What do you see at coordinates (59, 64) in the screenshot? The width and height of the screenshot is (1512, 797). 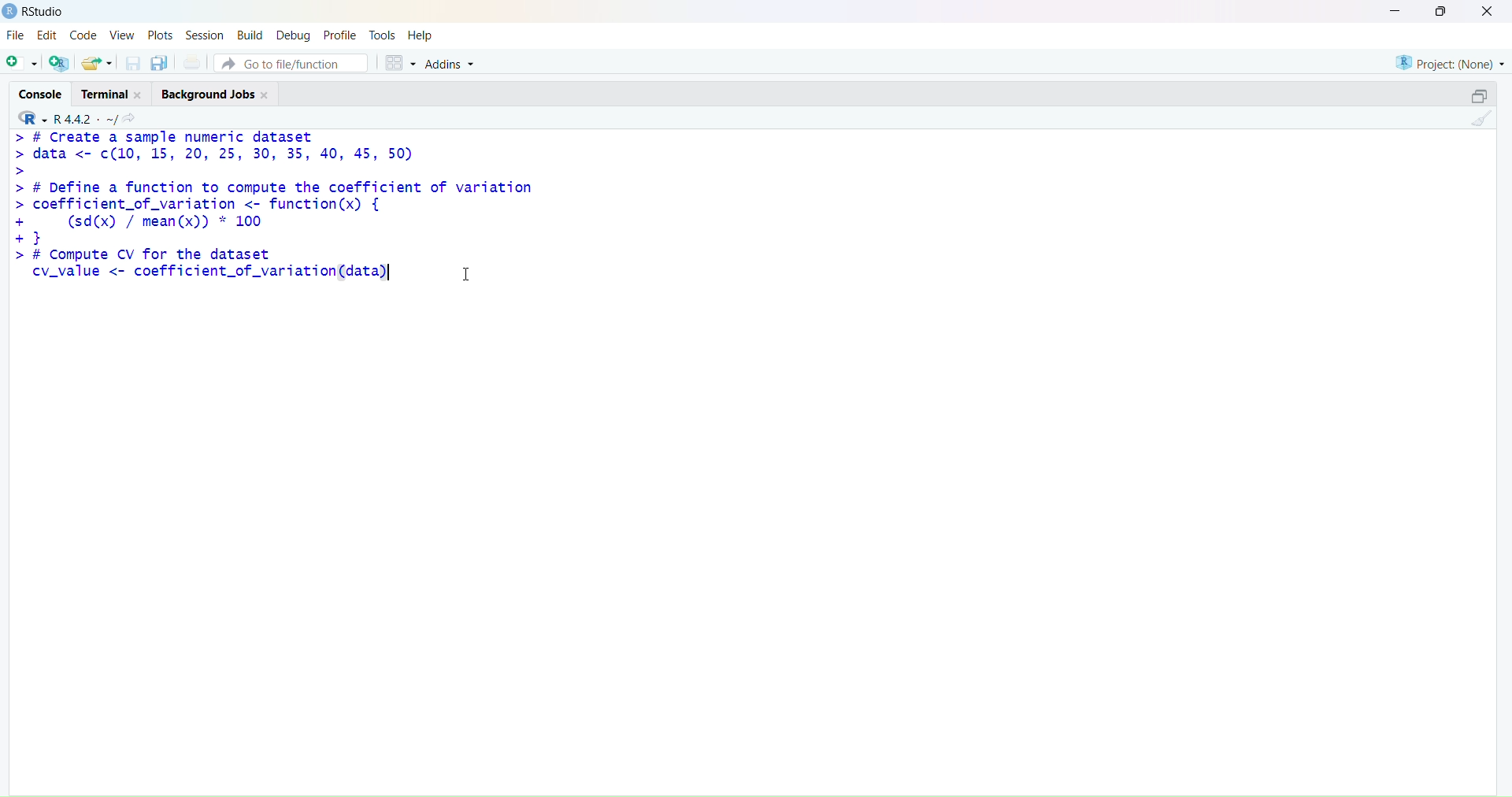 I see `add R file` at bounding box center [59, 64].